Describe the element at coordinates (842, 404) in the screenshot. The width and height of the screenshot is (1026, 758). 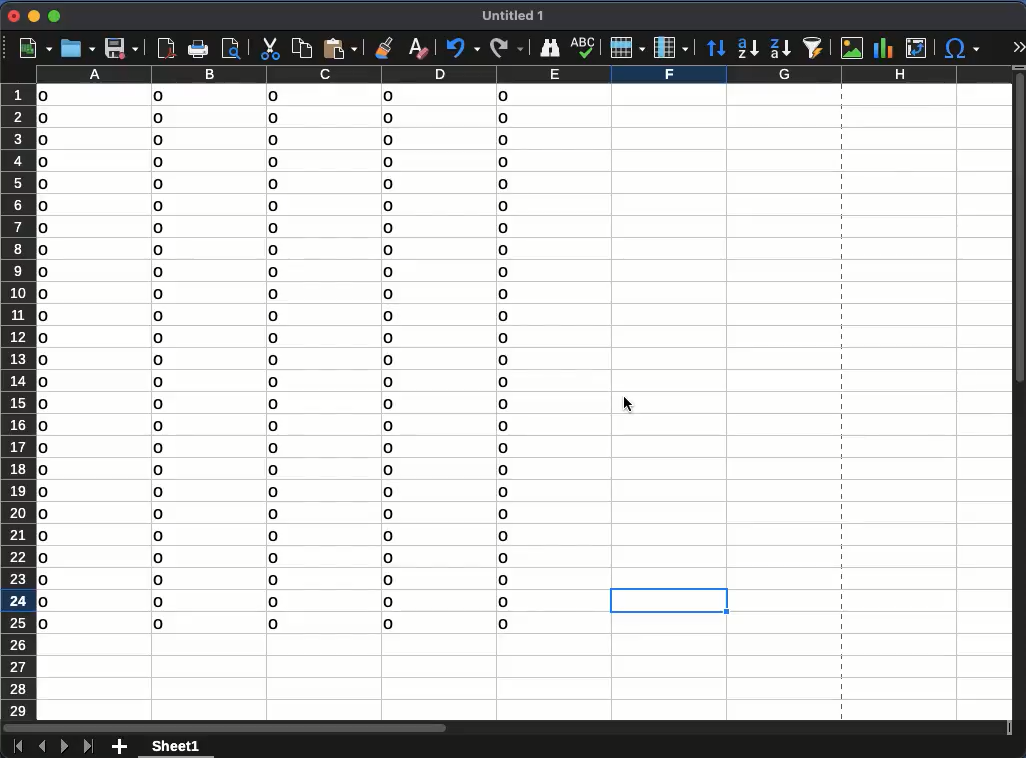
I see `breaker` at that location.